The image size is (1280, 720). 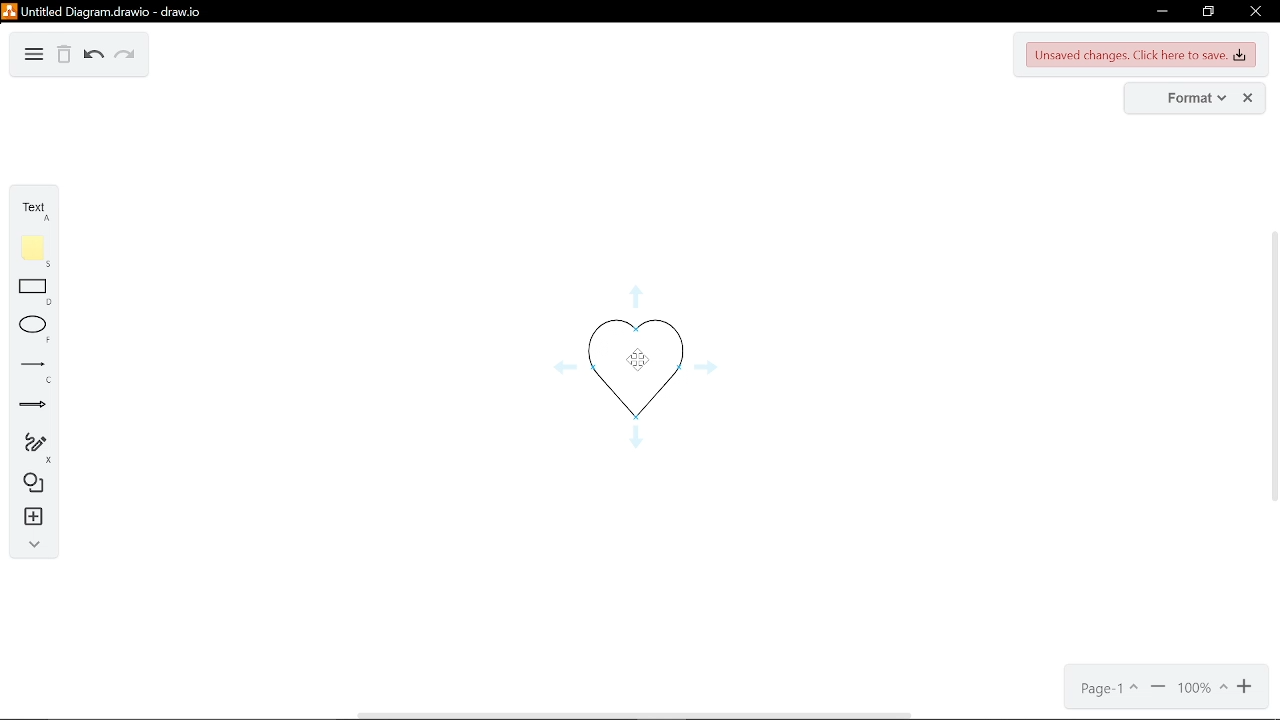 I want to click on shapes, so click(x=32, y=483).